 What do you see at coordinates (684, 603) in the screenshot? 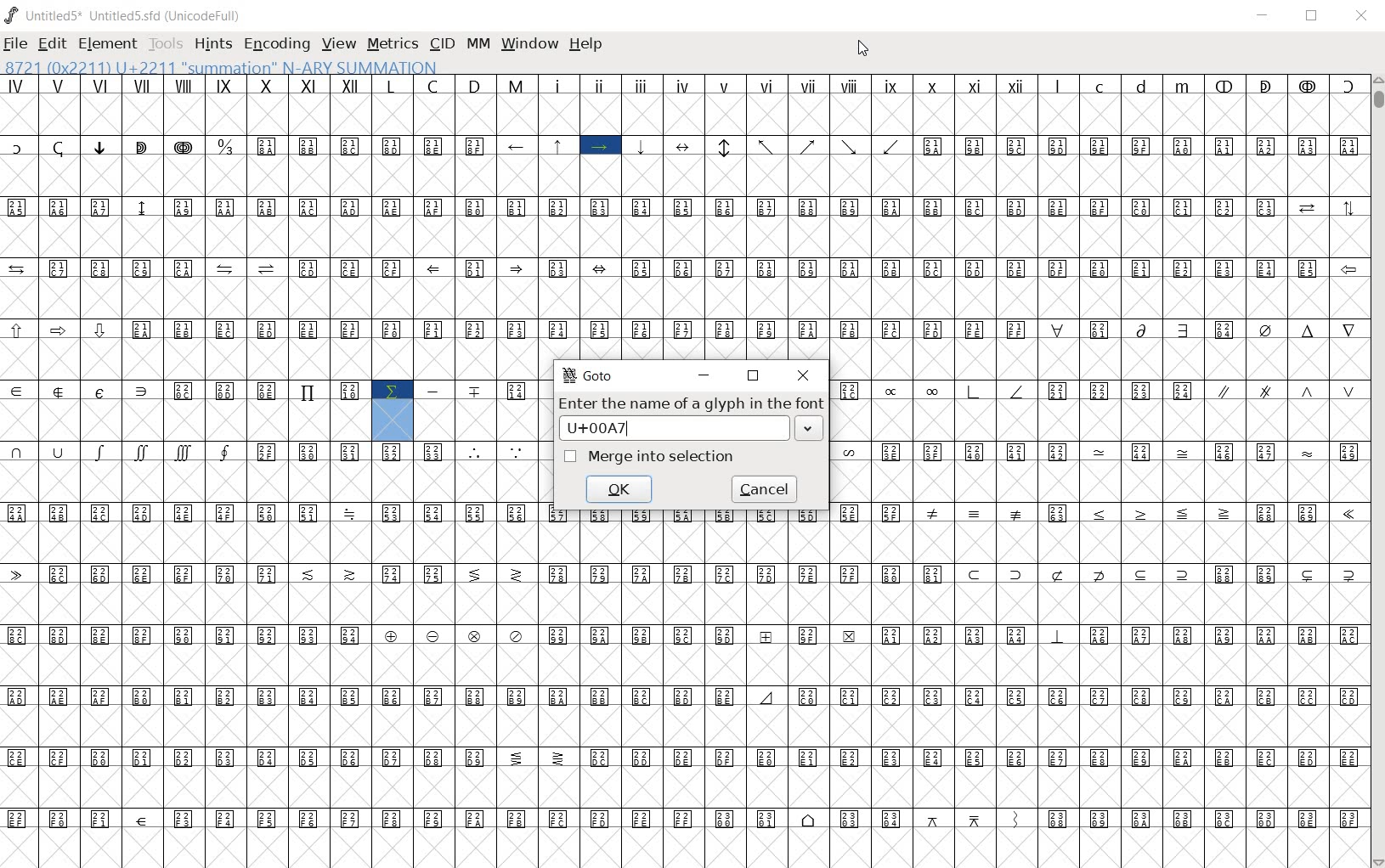
I see `empty cells` at bounding box center [684, 603].